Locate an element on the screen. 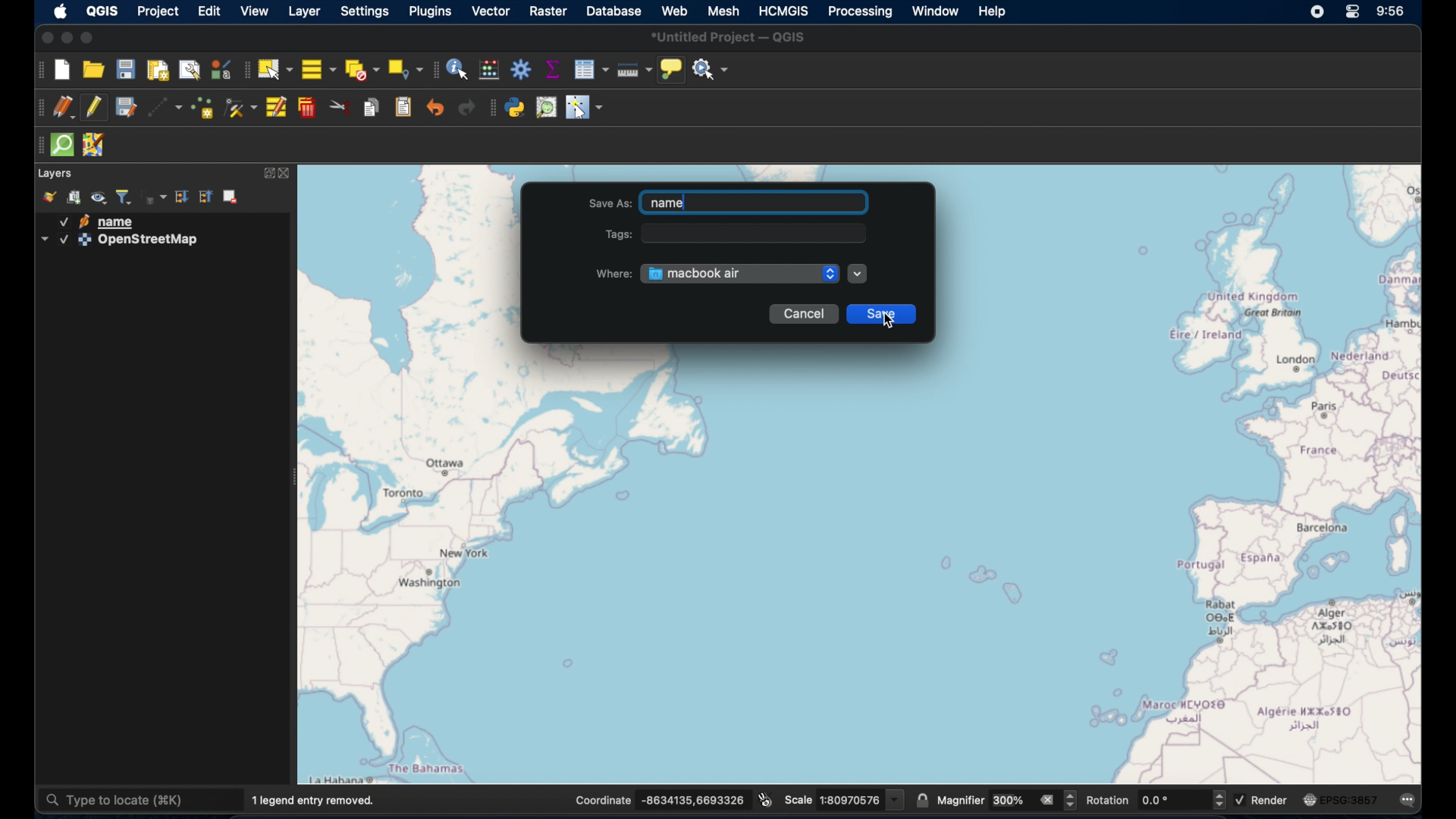  add point feature is located at coordinates (202, 108).